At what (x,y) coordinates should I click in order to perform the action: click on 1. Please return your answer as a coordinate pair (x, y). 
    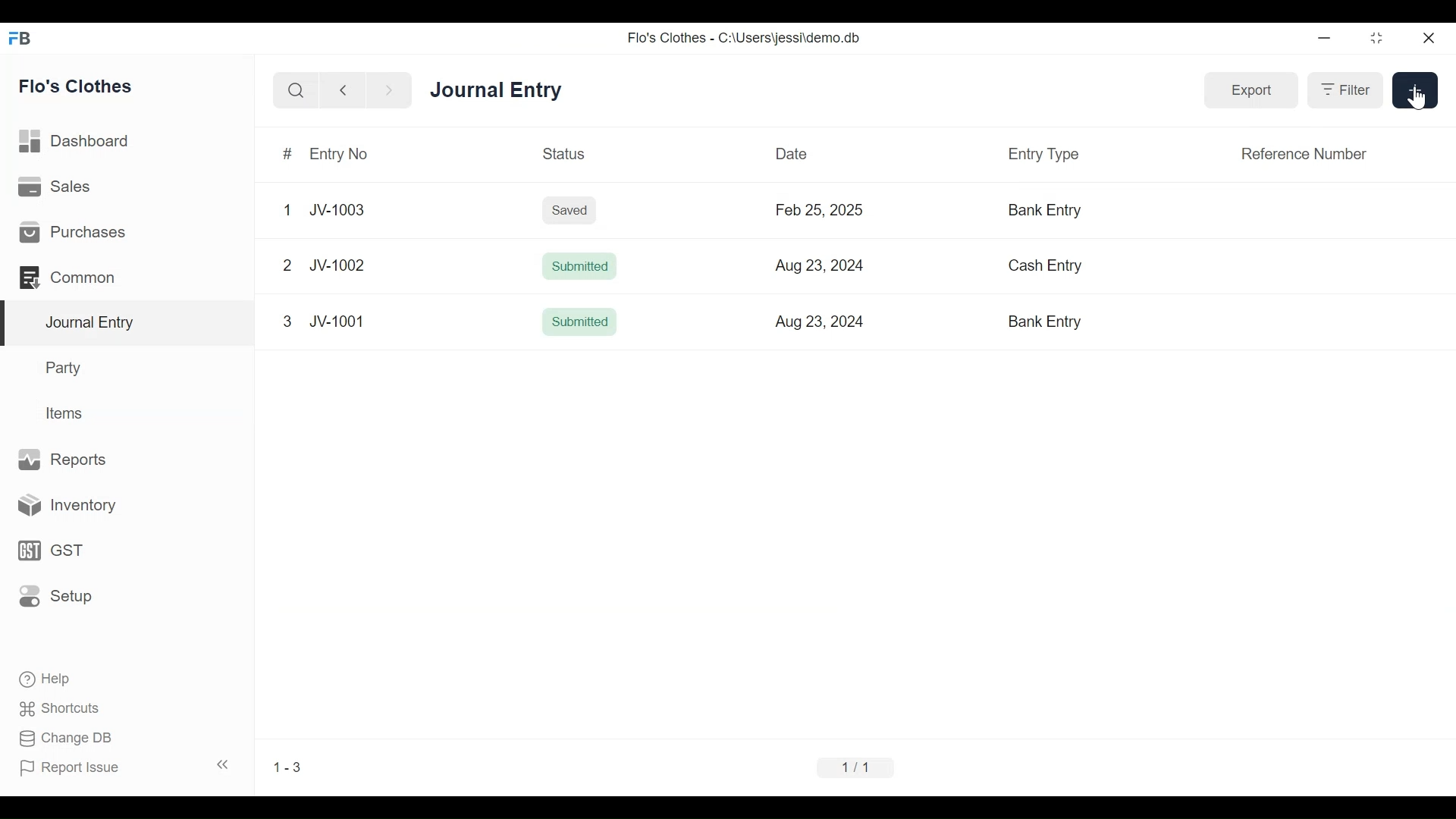
    Looking at the image, I should click on (289, 210).